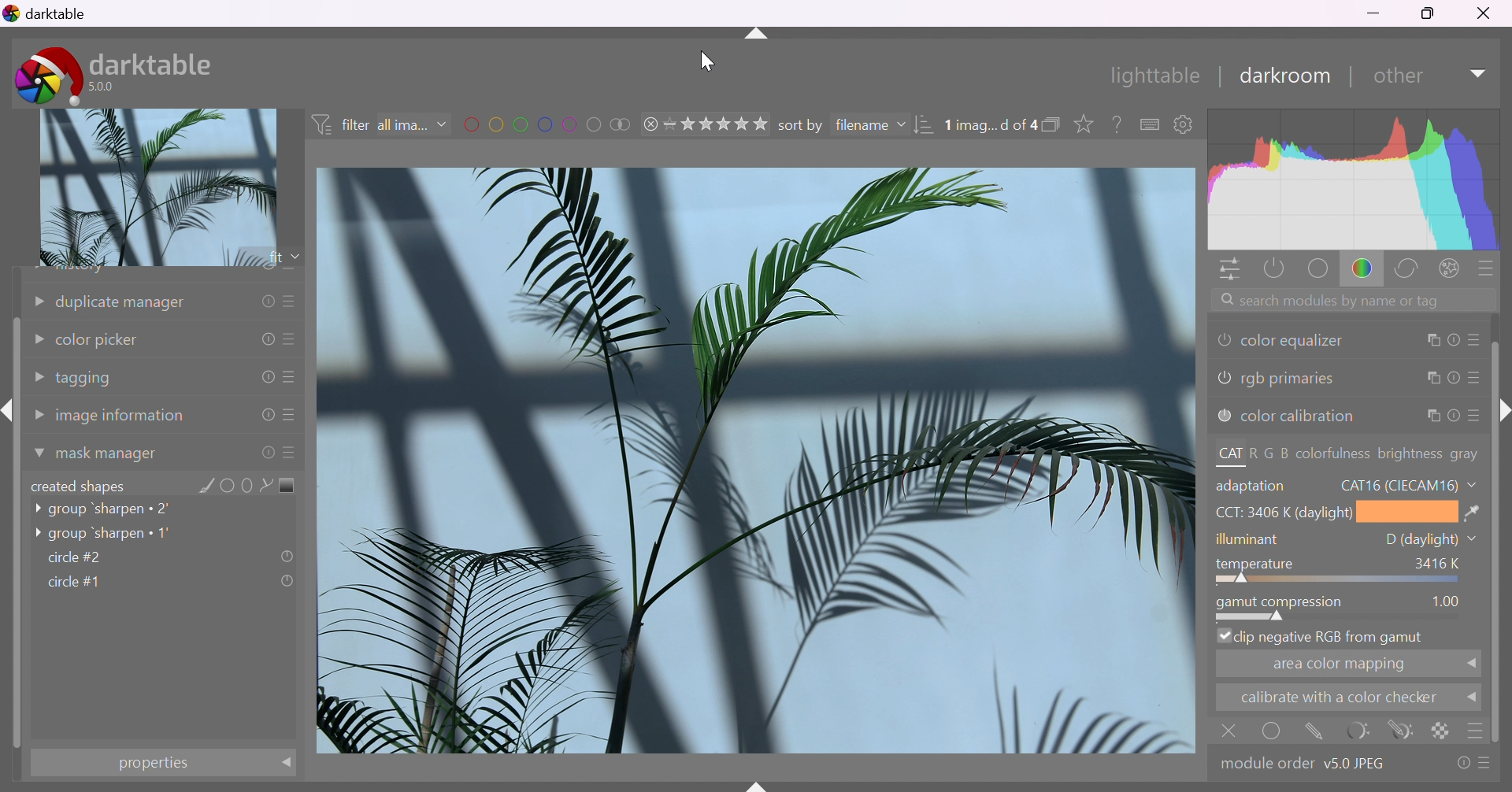 Image resolution: width=1512 pixels, height=792 pixels. Describe the element at coordinates (1440, 733) in the screenshot. I see `background` at that location.